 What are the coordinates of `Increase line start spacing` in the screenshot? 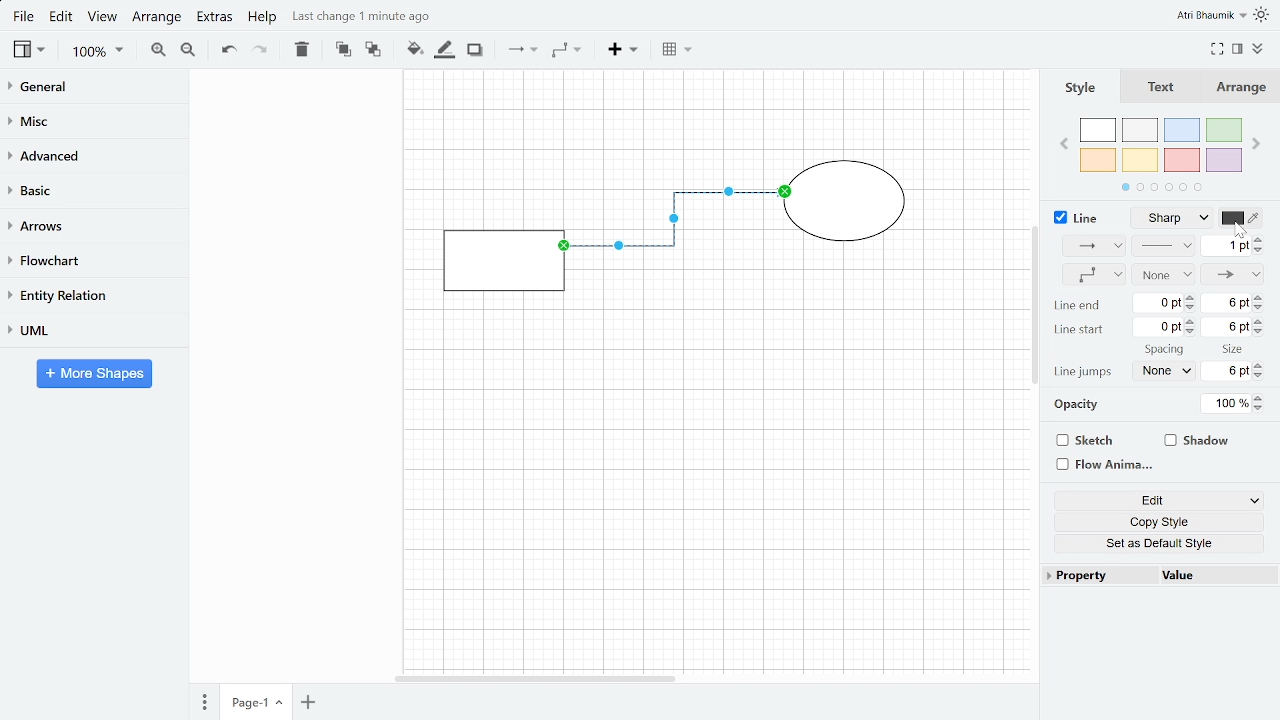 It's located at (1191, 321).